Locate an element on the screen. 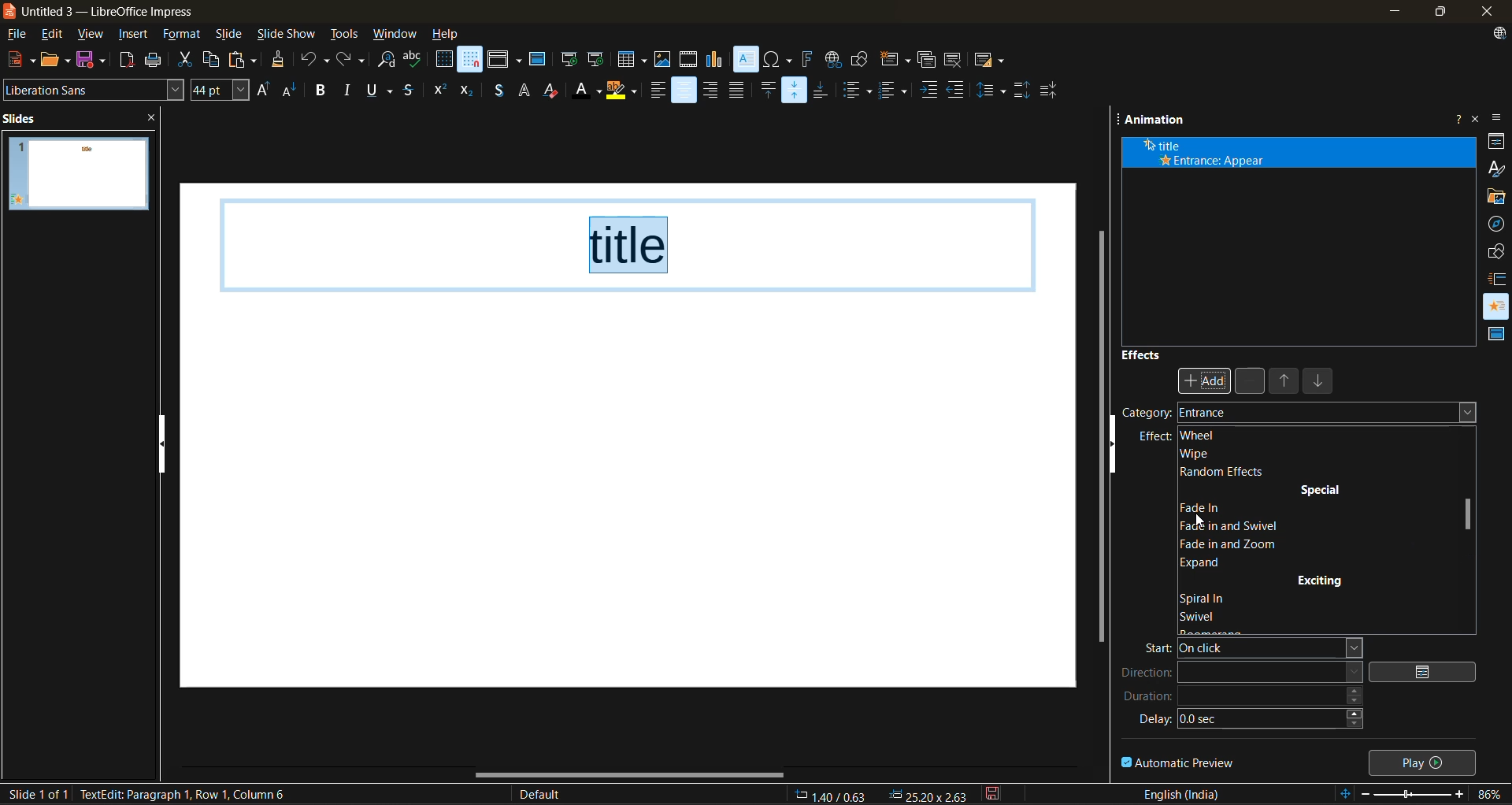 This screenshot has width=1512, height=805. font name is located at coordinates (94, 88).